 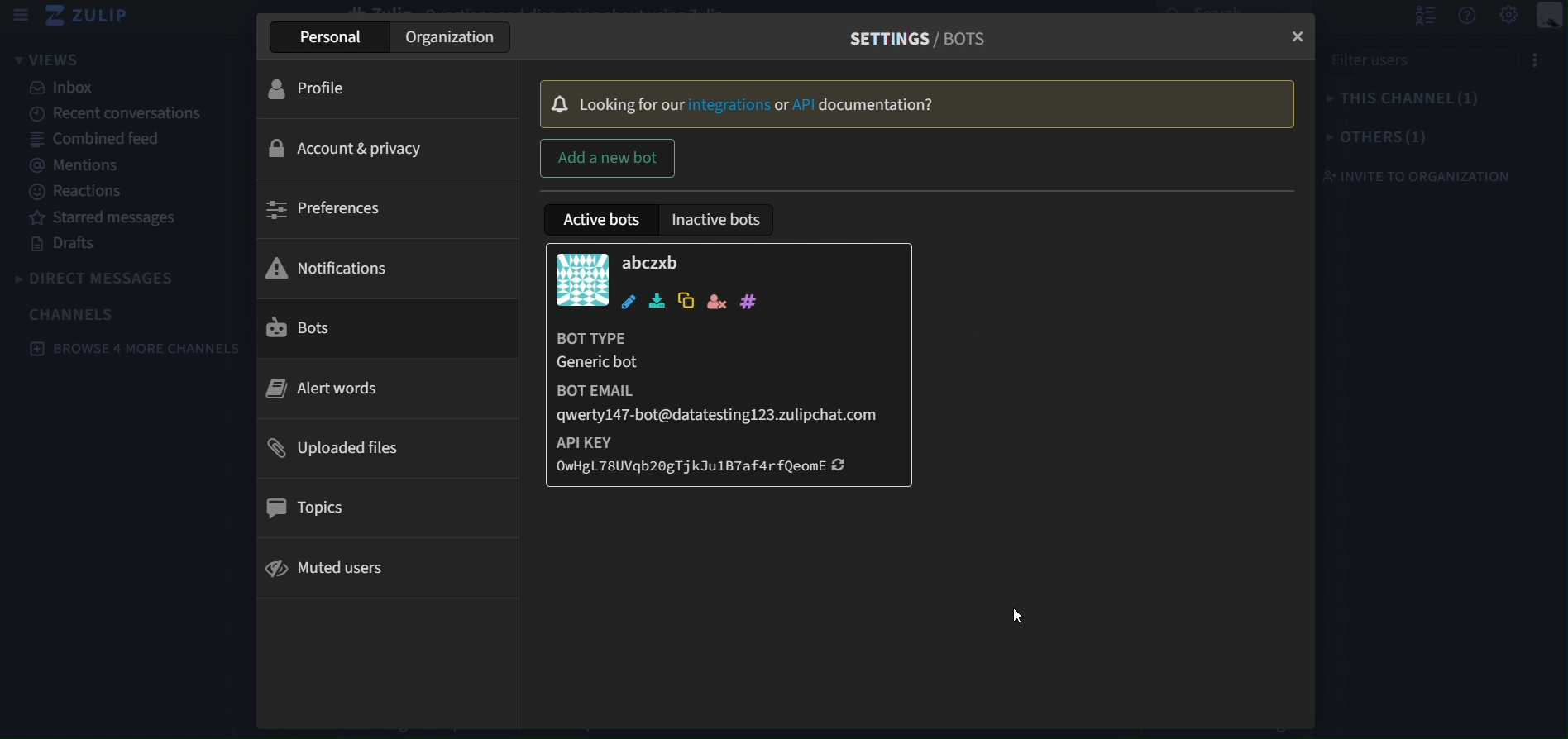 What do you see at coordinates (318, 329) in the screenshot?
I see `bots` at bounding box center [318, 329].